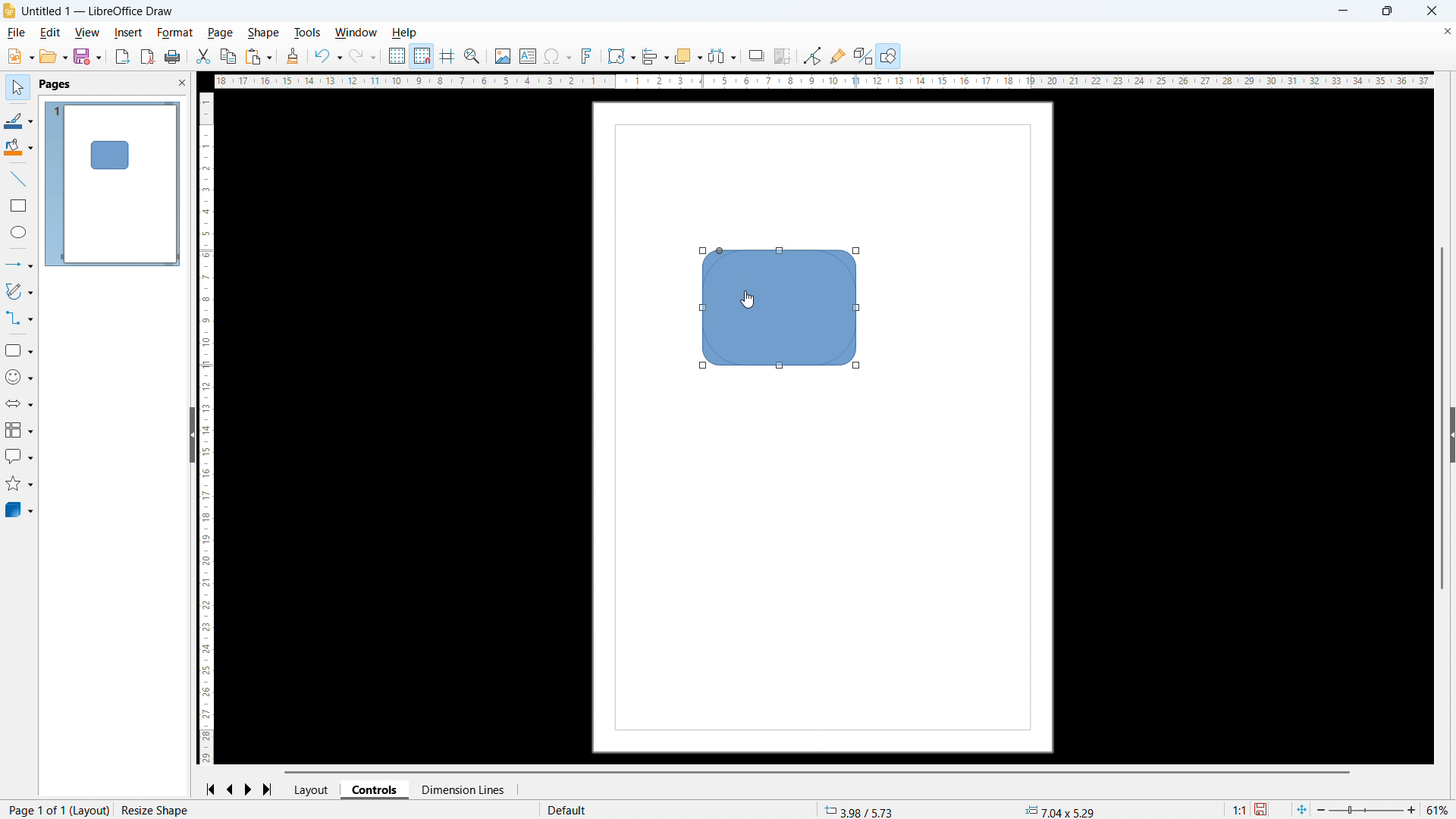 The image size is (1456, 819). What do you see at coordinates (861, 809) in the screenshot?
I see `3.98/5.73` at bounding box center [861, 809].